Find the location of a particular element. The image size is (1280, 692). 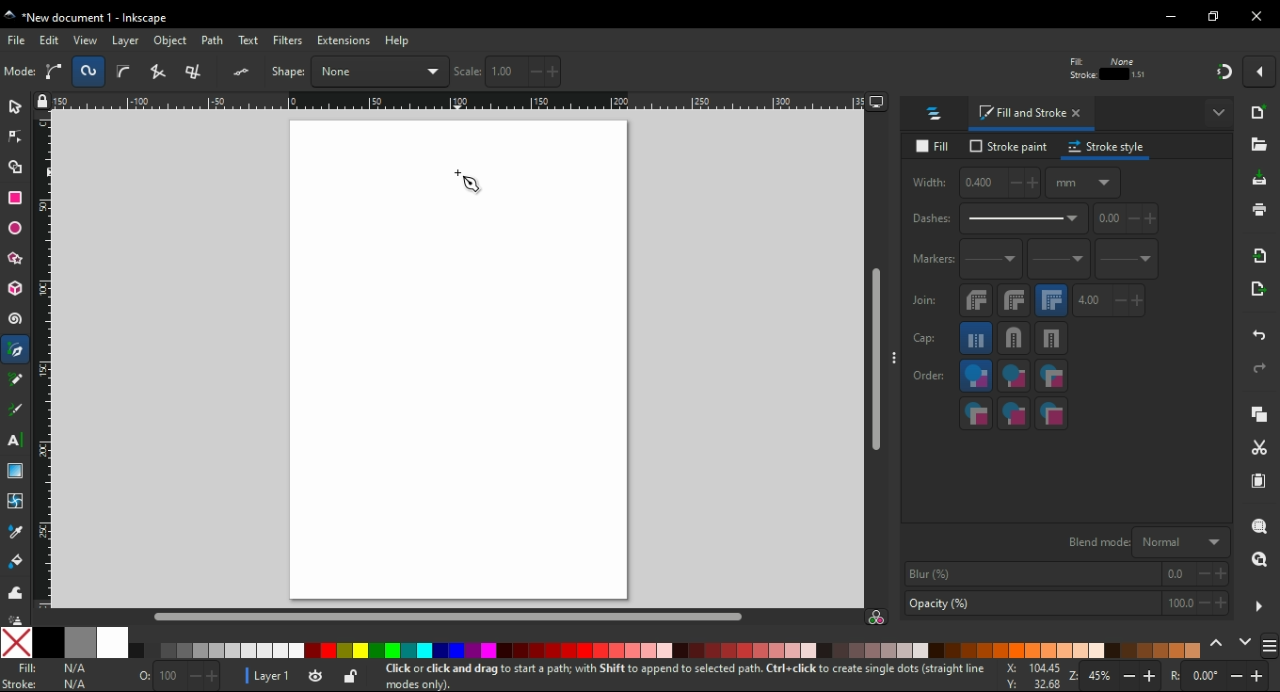

select all in all layers is located at coordinates (57, 71).